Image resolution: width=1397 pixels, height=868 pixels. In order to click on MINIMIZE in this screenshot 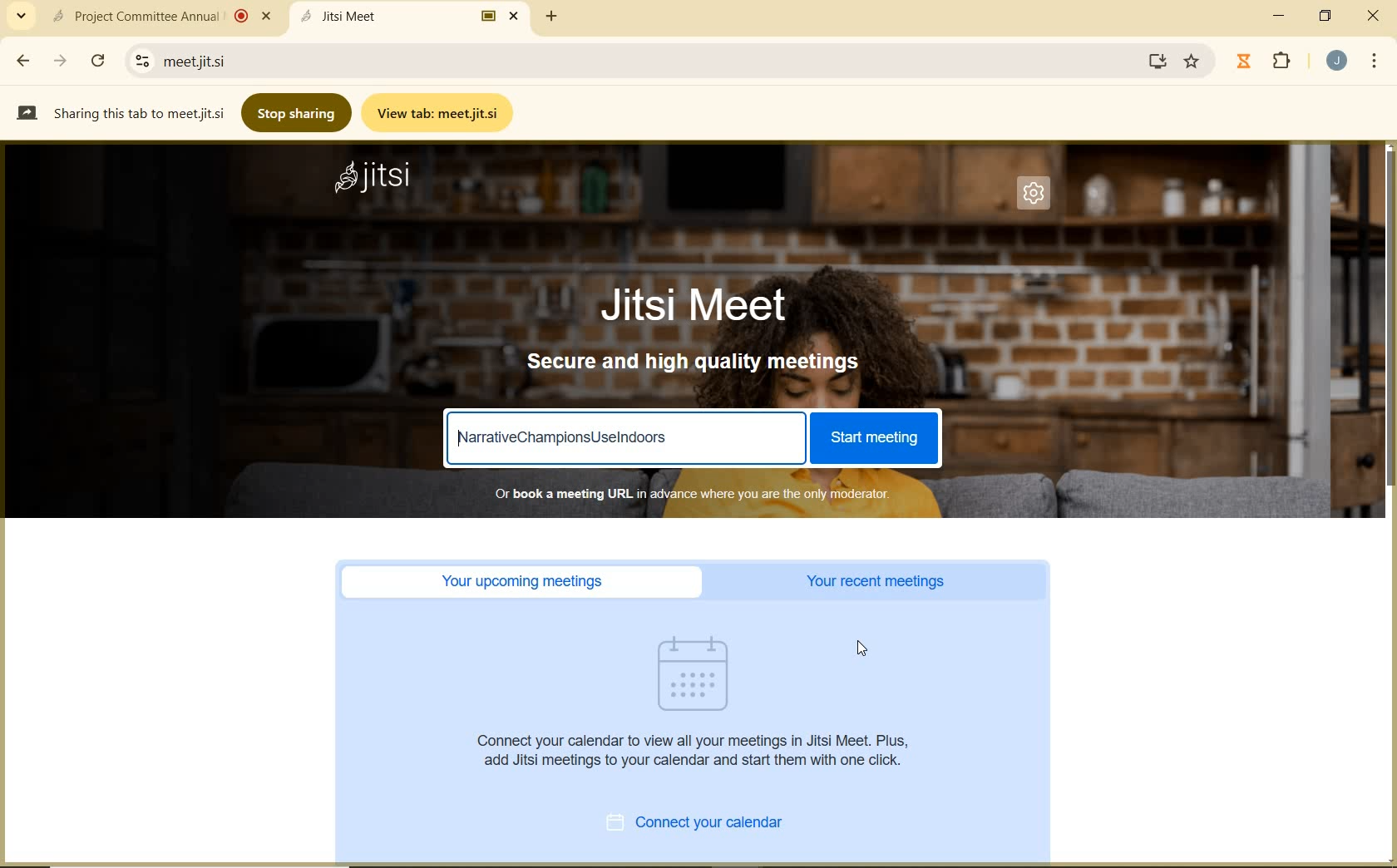, I will do `click(1281, 16)`.